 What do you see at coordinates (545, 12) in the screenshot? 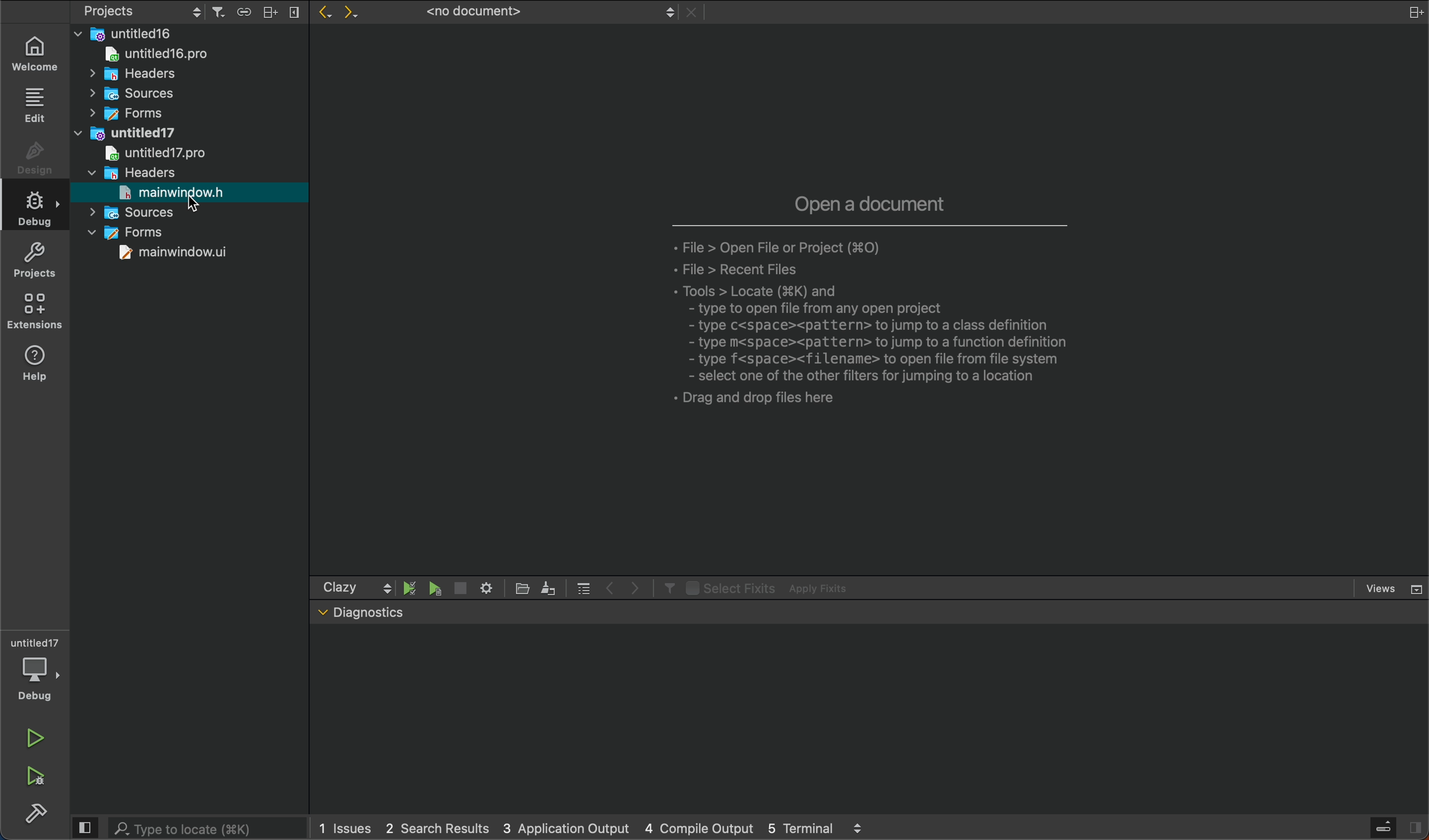
I see `<no document>` at bounding box center [545, 12].